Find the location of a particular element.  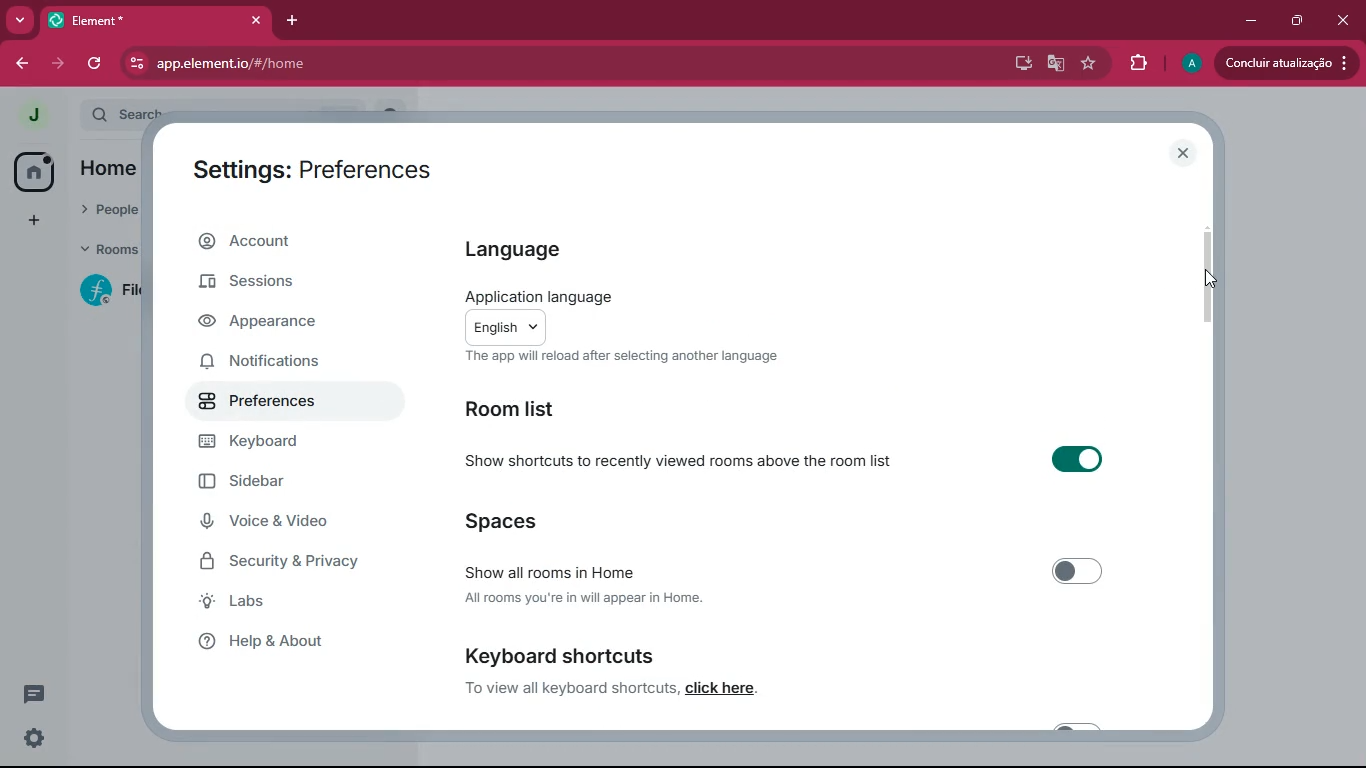

The app will reload after selecting another language is located at coordinates (624, 357).